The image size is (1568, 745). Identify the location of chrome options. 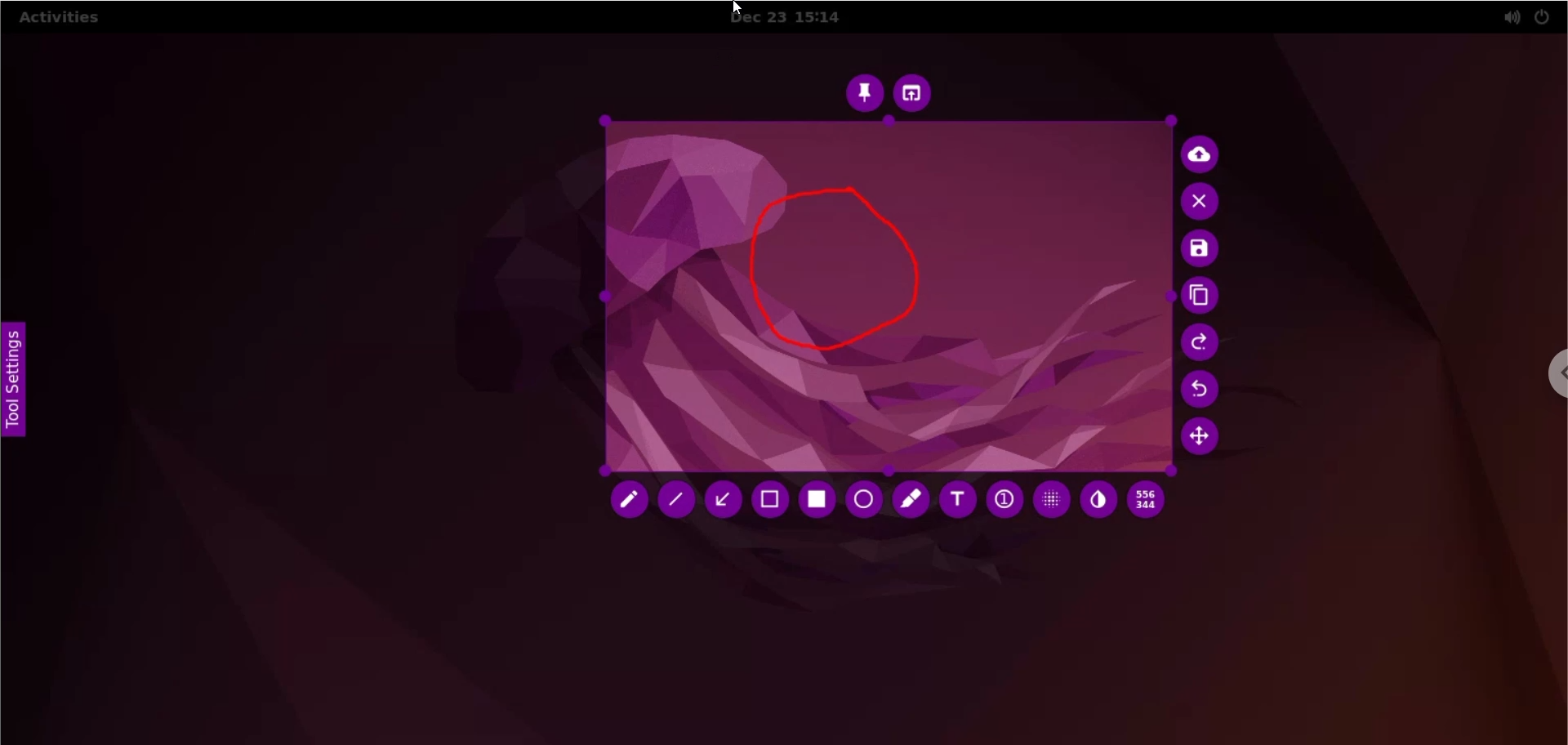
(1545, 372).